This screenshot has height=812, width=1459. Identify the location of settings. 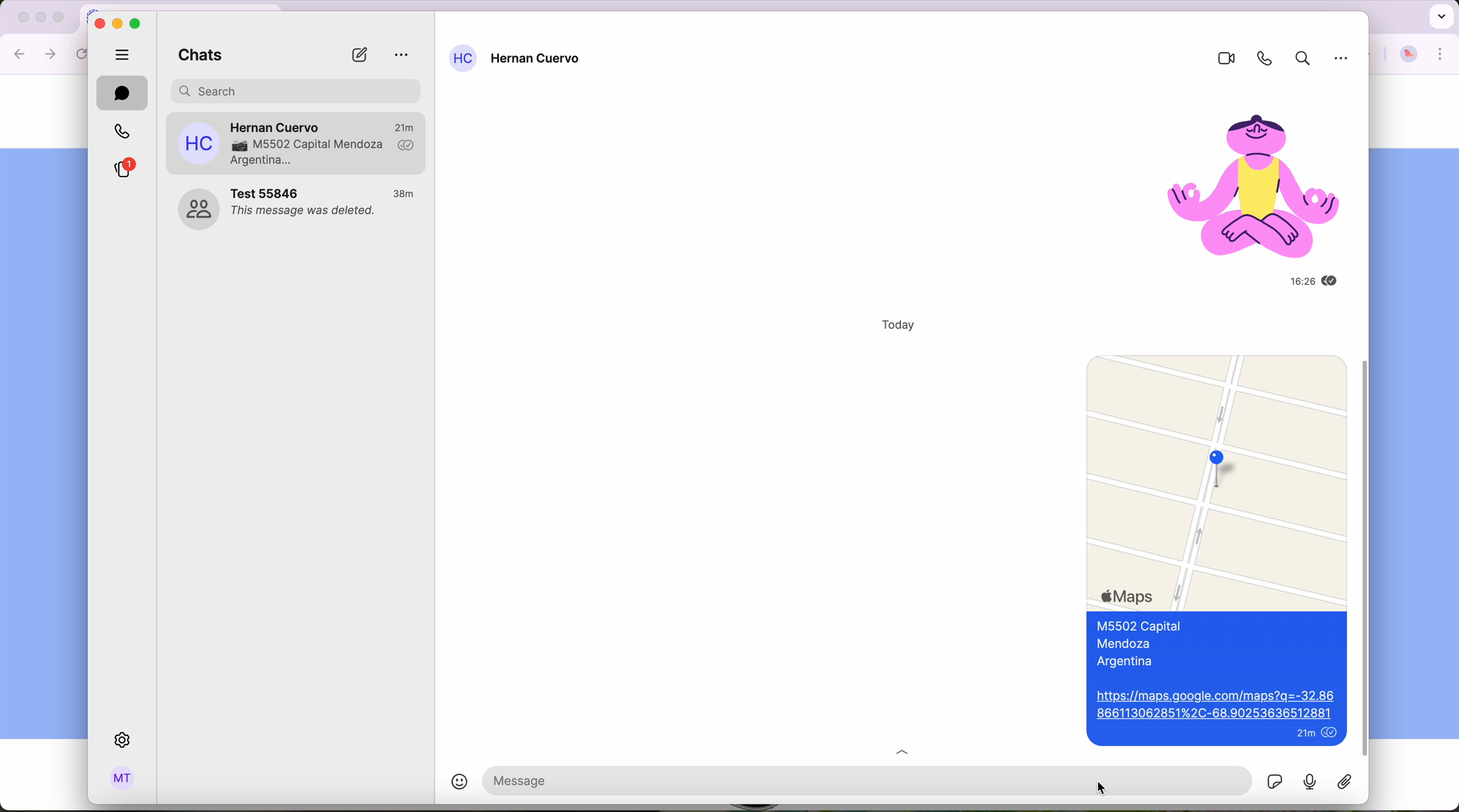
(125, 741).